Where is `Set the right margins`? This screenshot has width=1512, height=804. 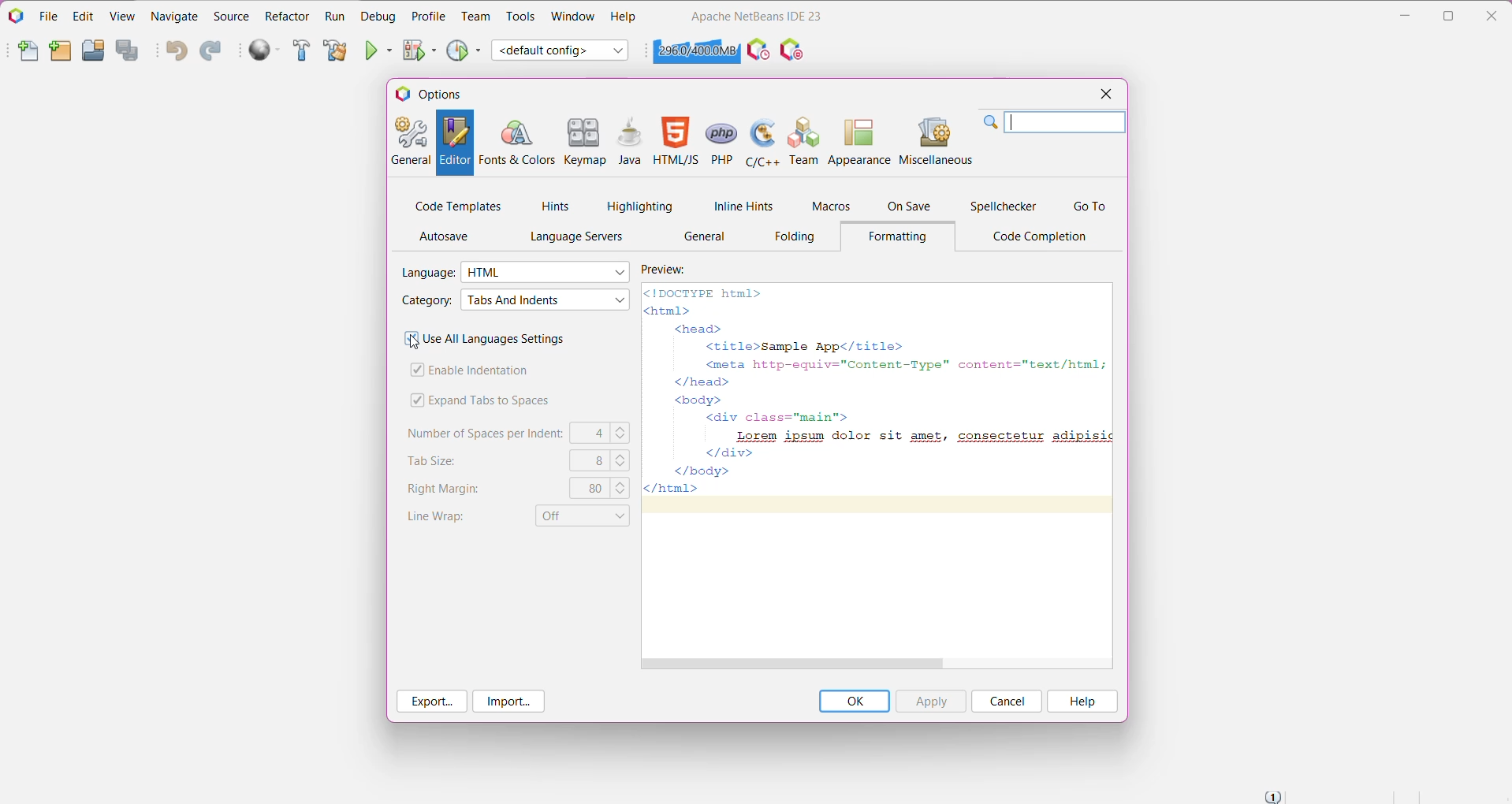 Set the right margins is located at coordinates (623, 487).